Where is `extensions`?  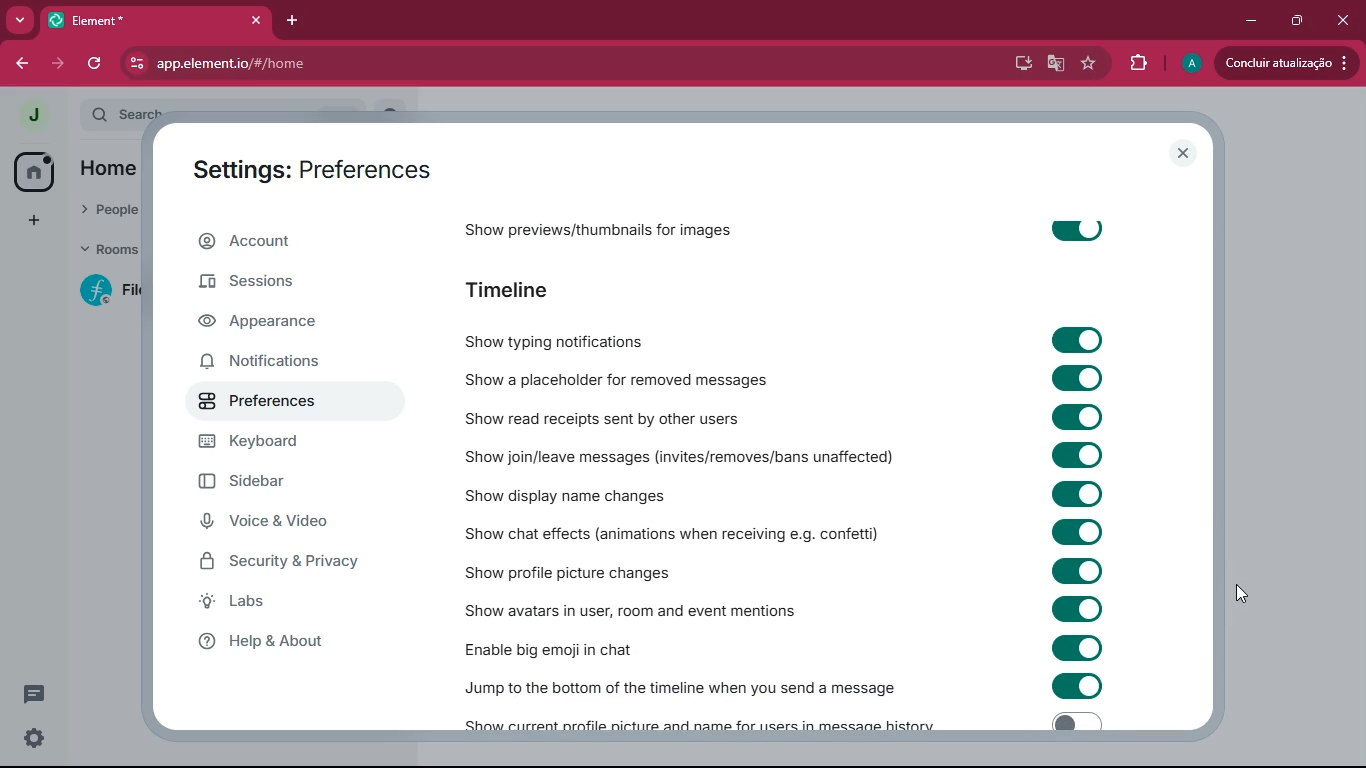
extensions is located at coordinates (1139, 64).